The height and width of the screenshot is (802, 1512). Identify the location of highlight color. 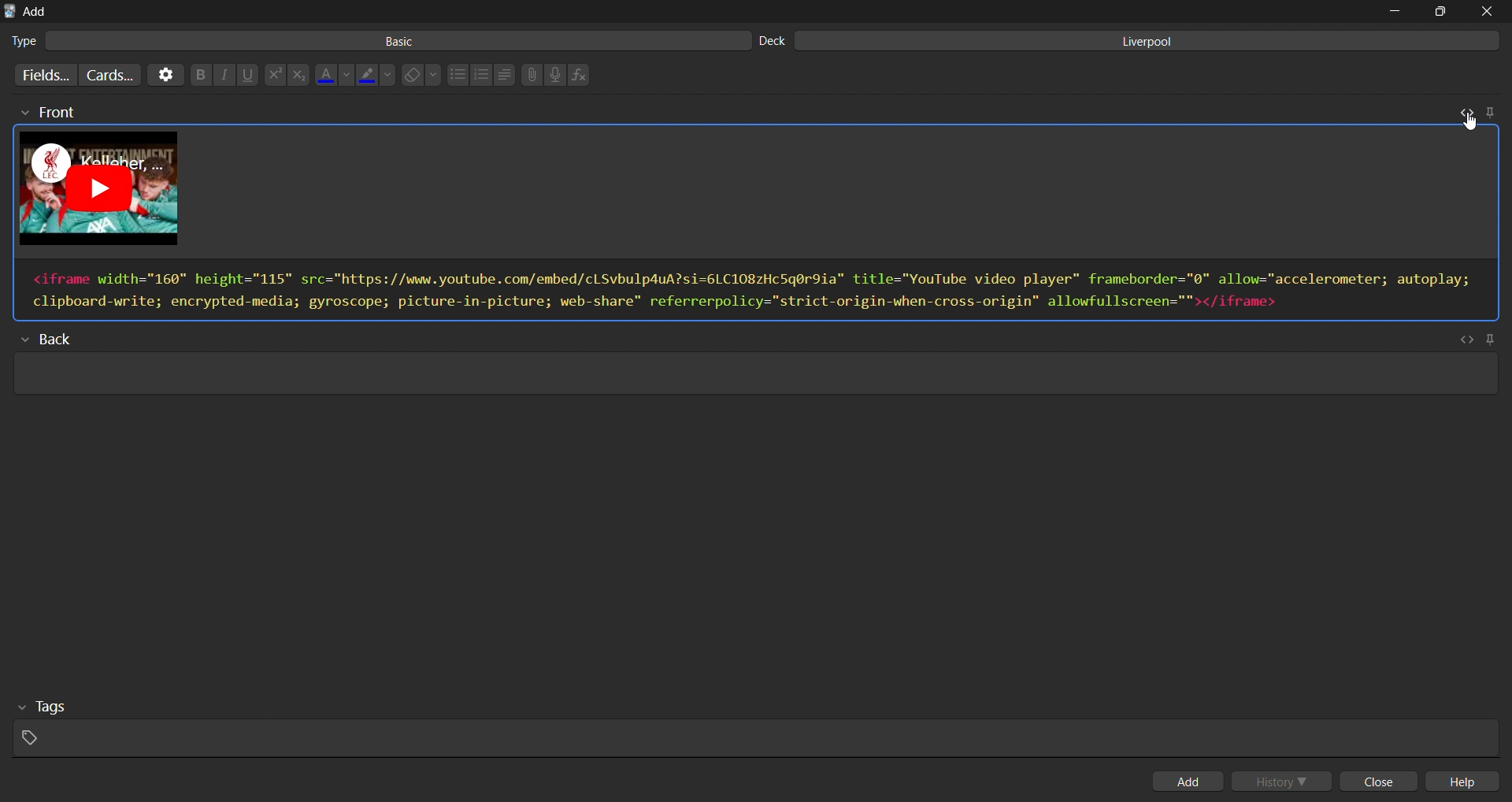
(377, 72).